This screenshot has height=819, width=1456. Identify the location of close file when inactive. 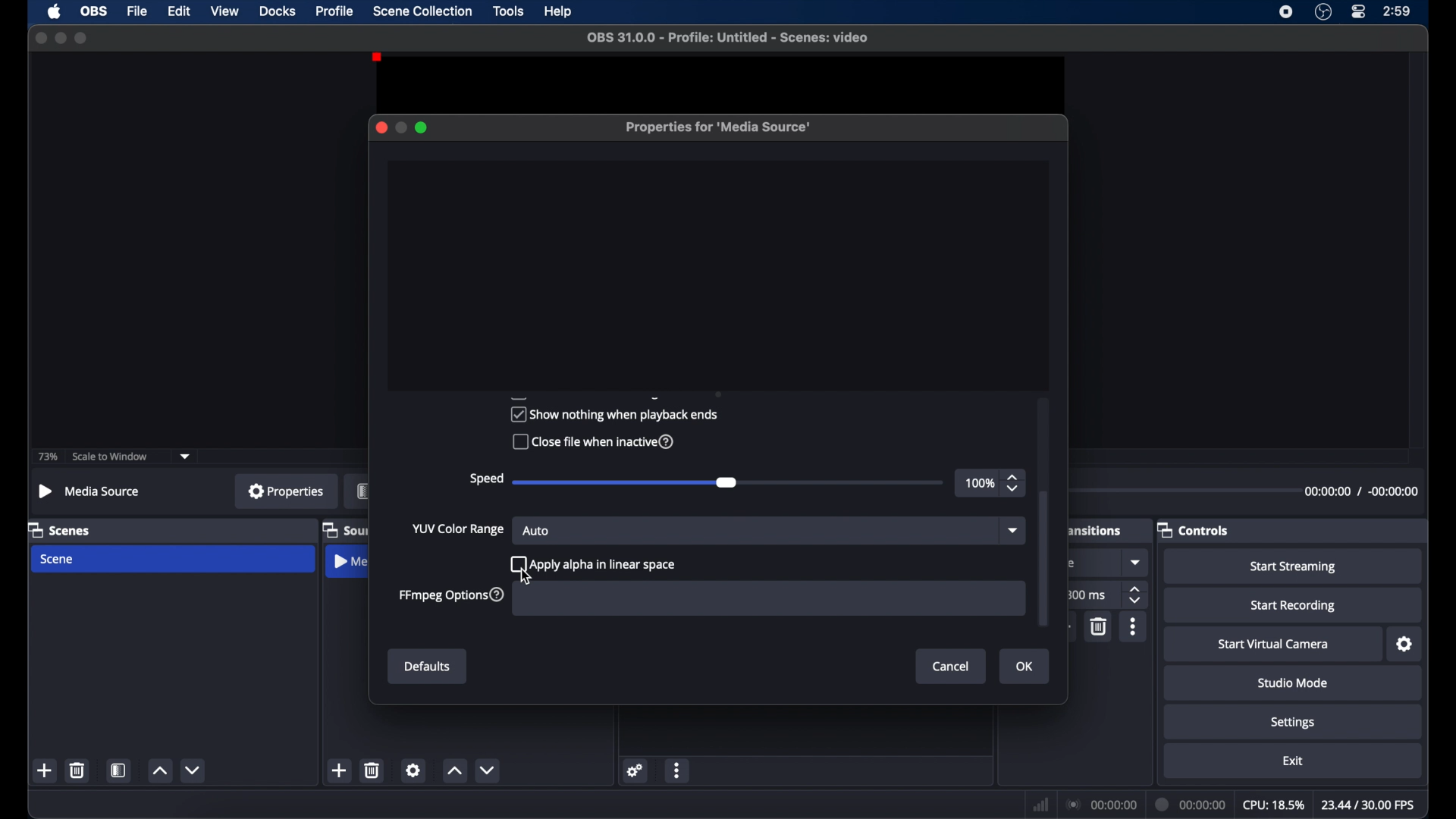
(592, 442).